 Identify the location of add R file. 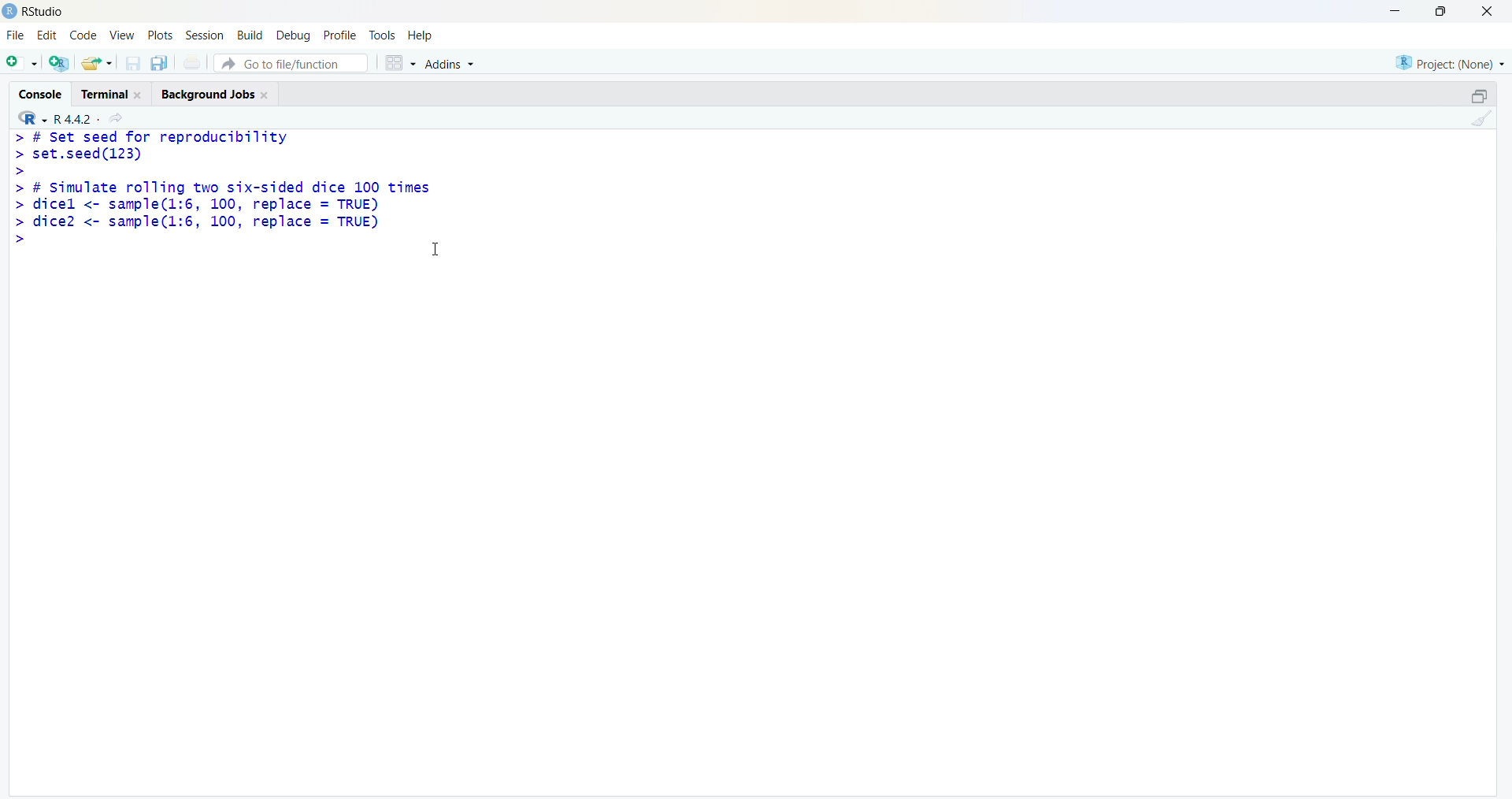
(59, 63).